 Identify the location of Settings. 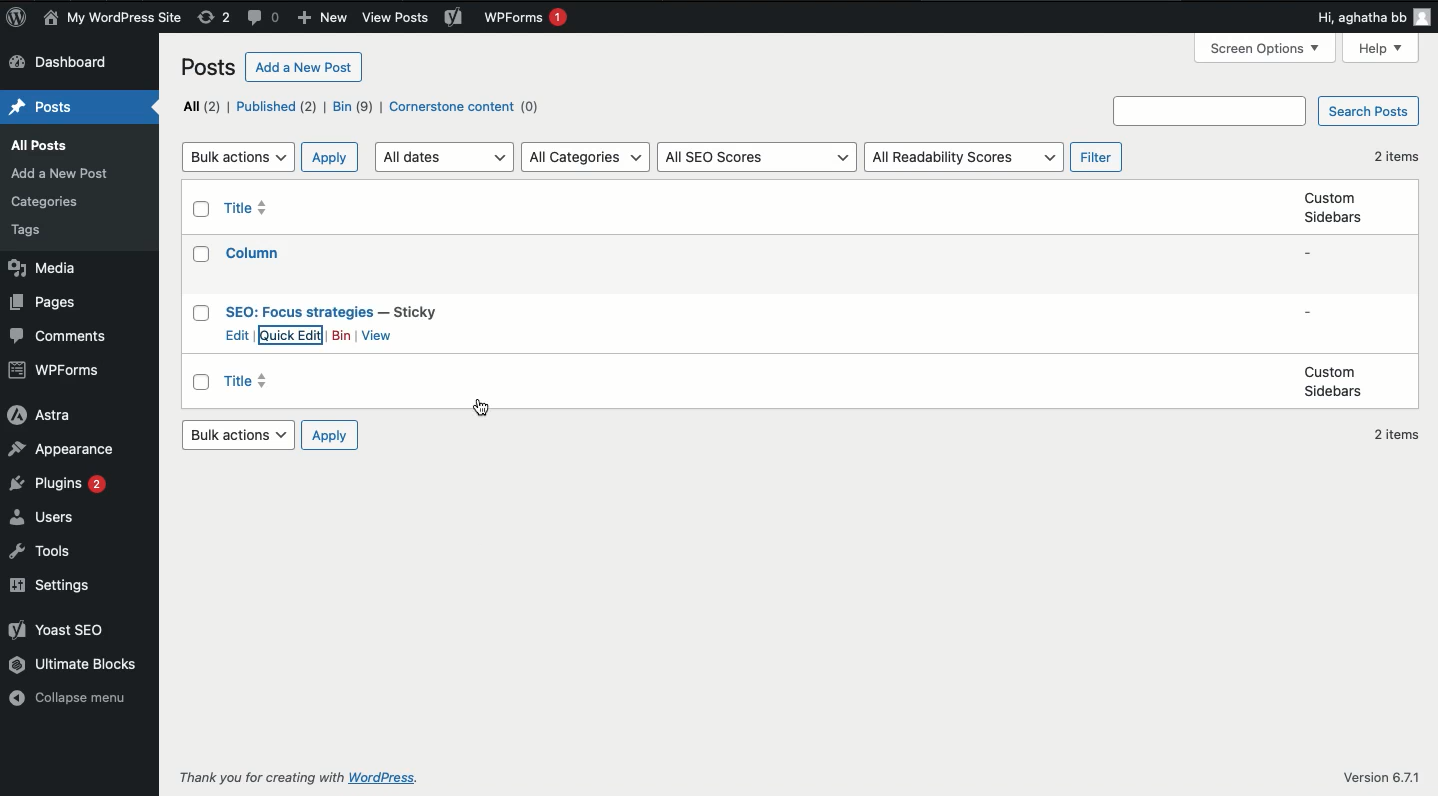
(55, 586).